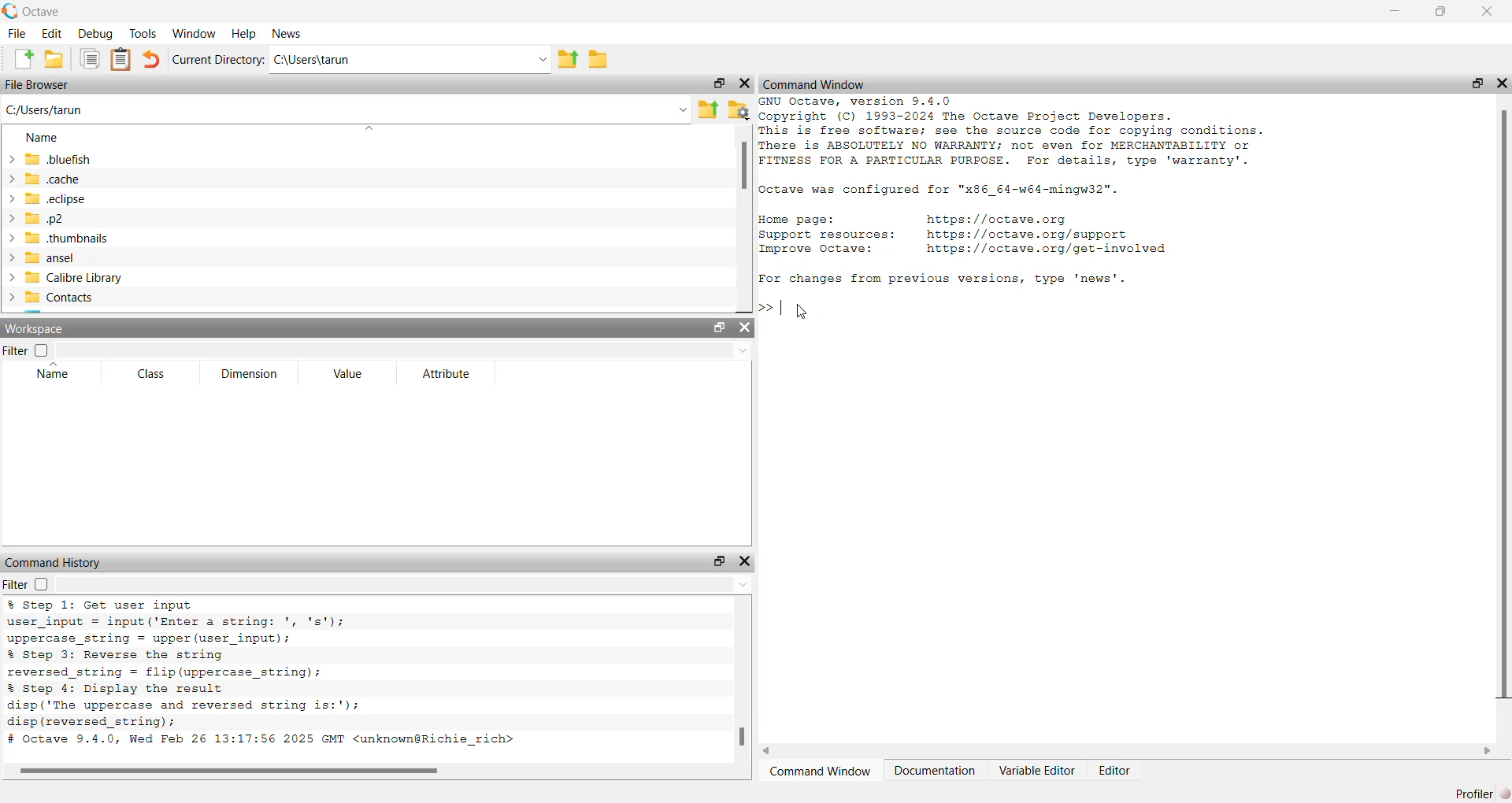 This screenshot has height=803, width=1512. I want to click on configuration of octave, so click(939, 191).